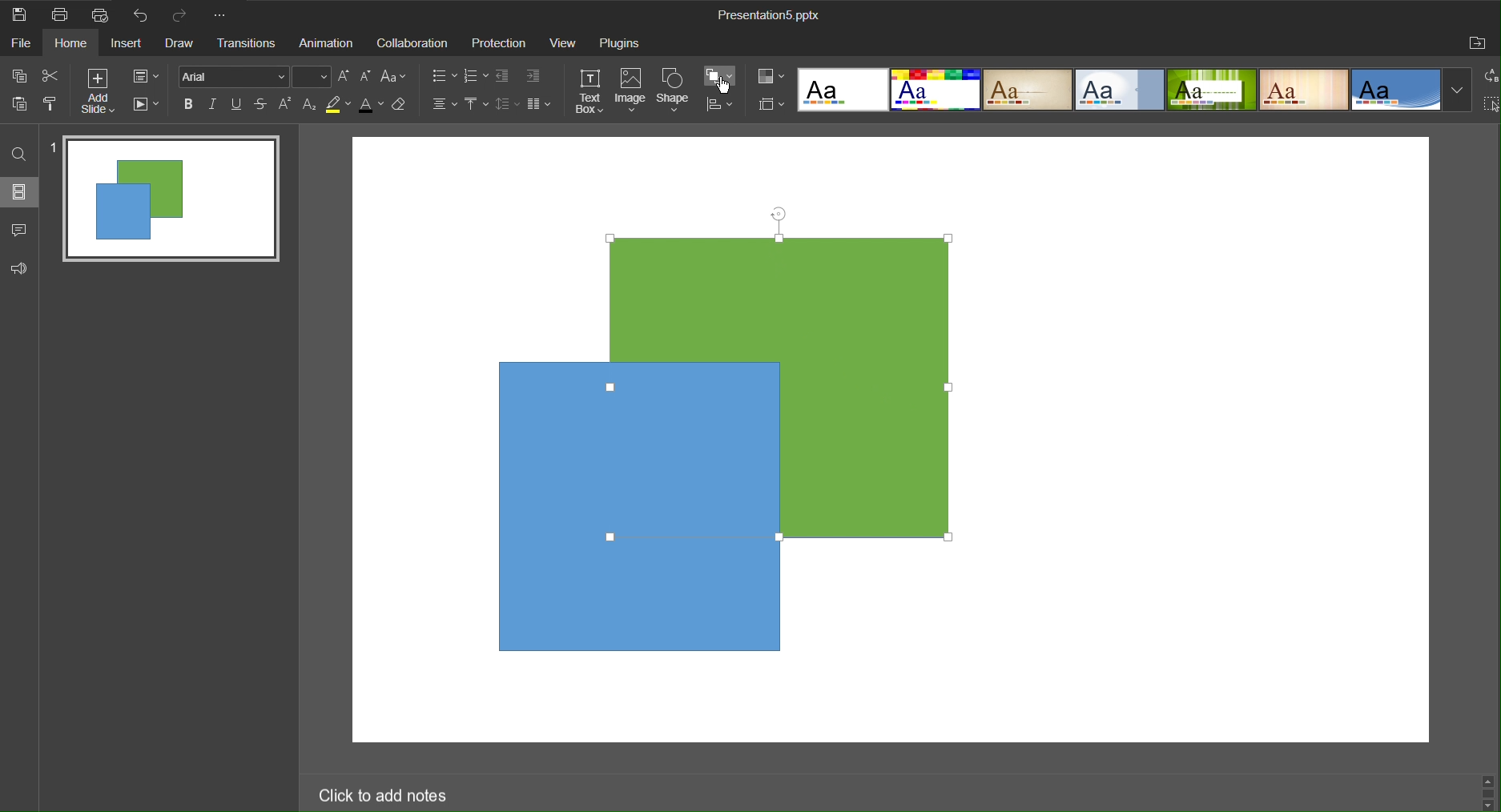 Image resolution: width=1501 pixels, height=812 pixels. Describe the element at coordinates (768, 104) in the screenshot. I see `Slide Size Settings` at that location.